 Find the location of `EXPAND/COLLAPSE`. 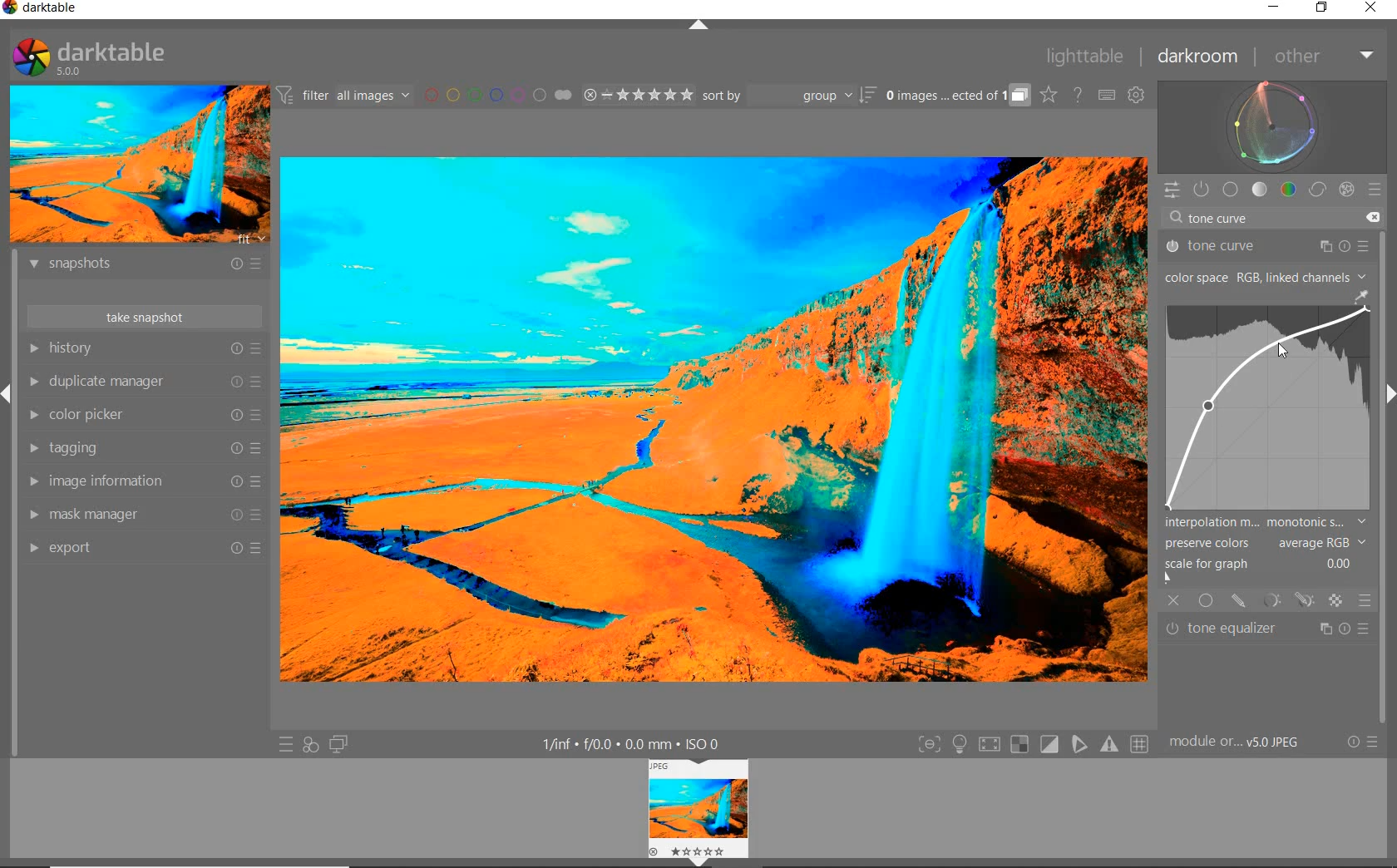

EXPAND/COLLAPSE is located at coordinates (700, 28).